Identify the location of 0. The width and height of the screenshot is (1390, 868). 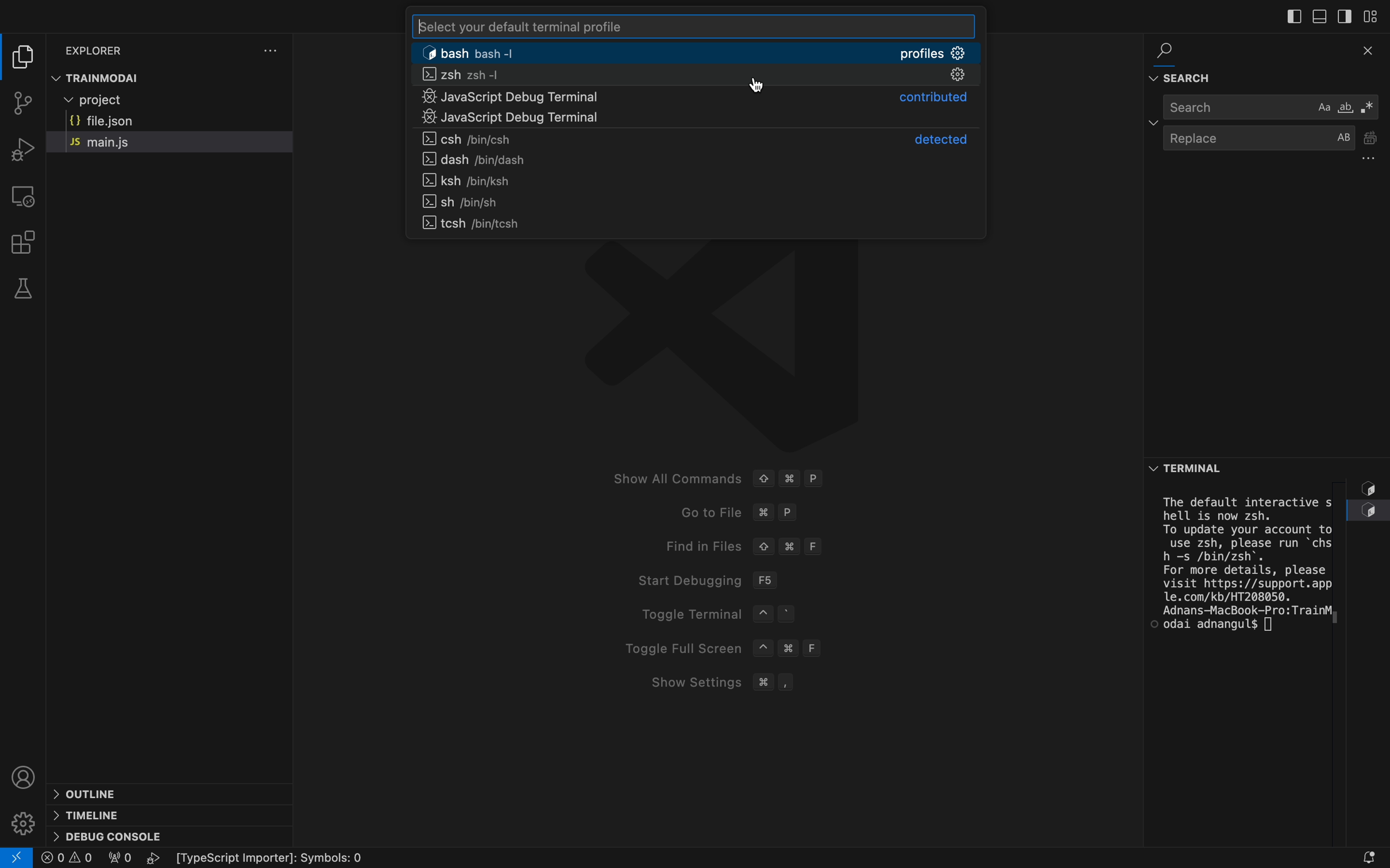
(68, 858).